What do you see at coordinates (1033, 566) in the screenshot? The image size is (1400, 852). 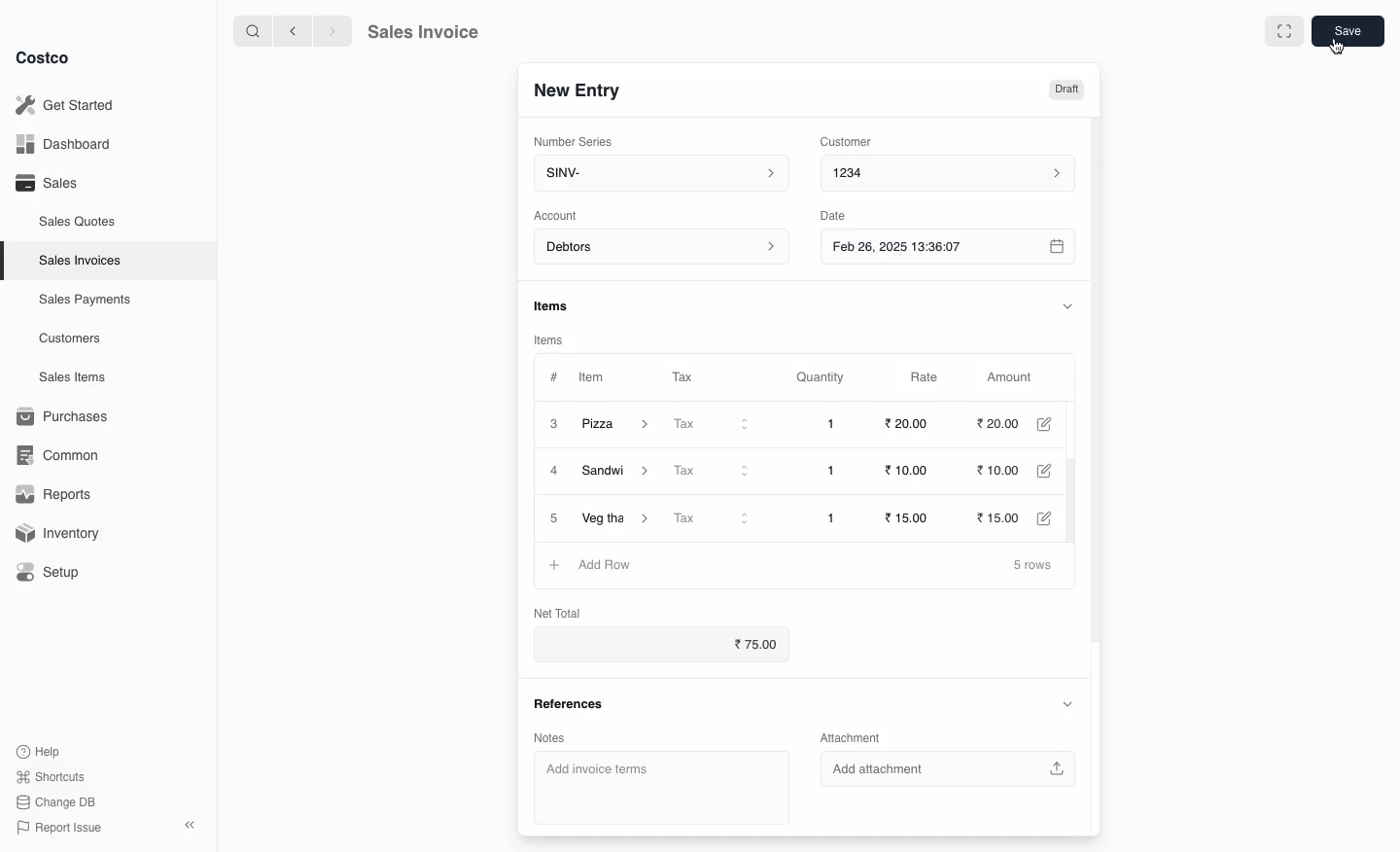 I see `5 rows` at bounding box center [1033, 566].